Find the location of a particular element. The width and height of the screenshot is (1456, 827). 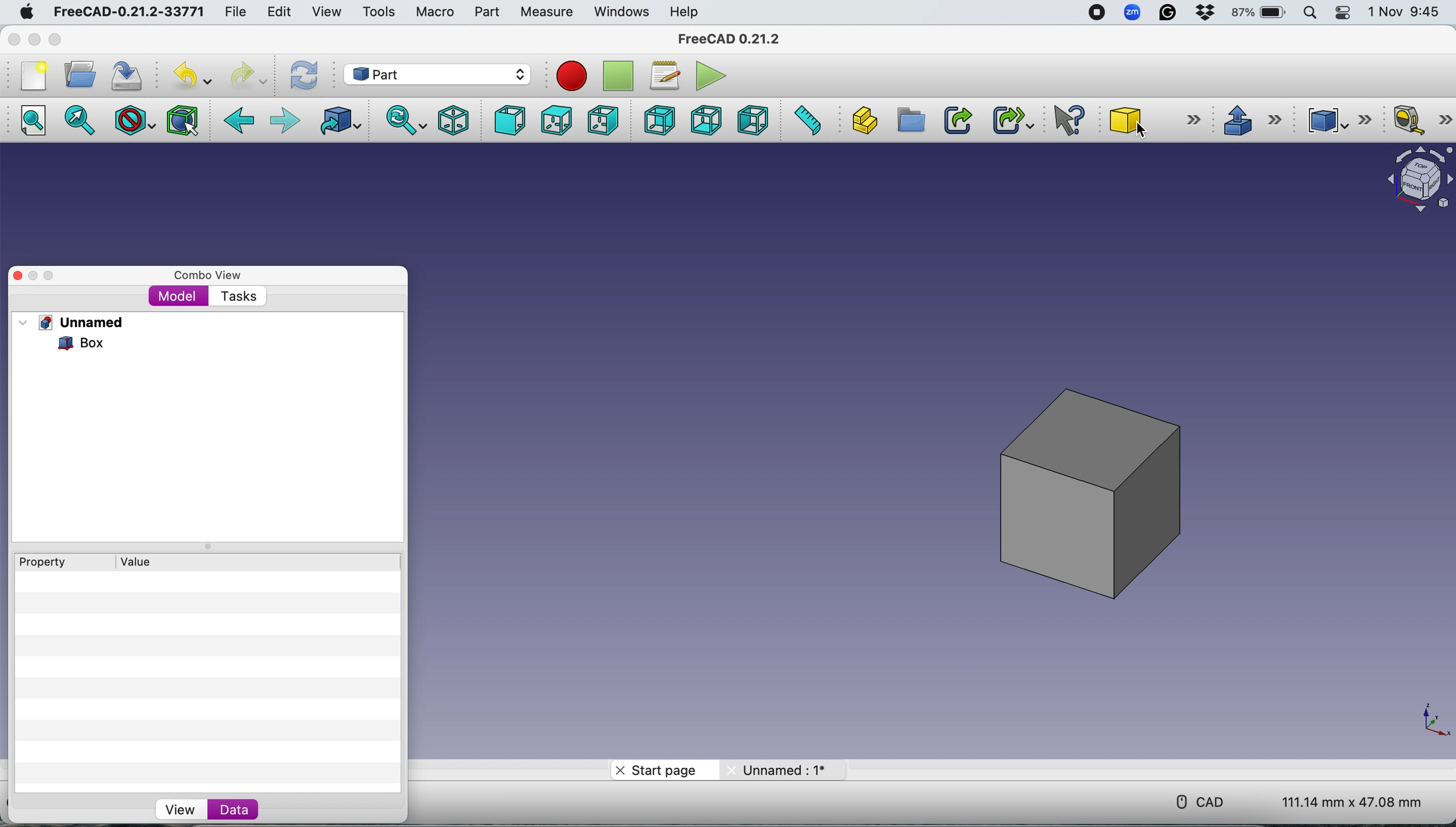

Model is located at coordinates (178, 297).